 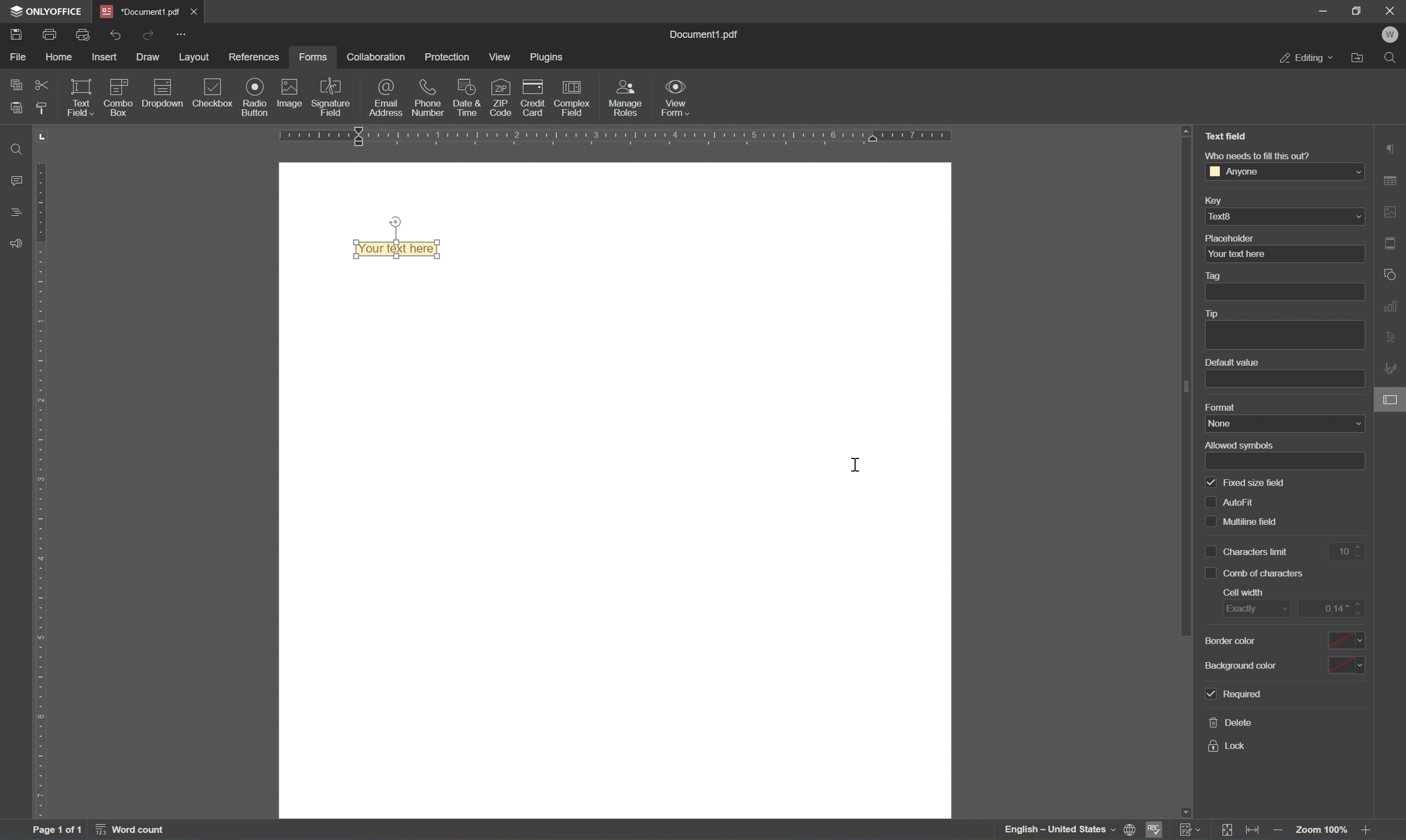 What do you see at coordinates (857, 466) in the screenshot?
I see `cursor` at bounding box center [857, 466].